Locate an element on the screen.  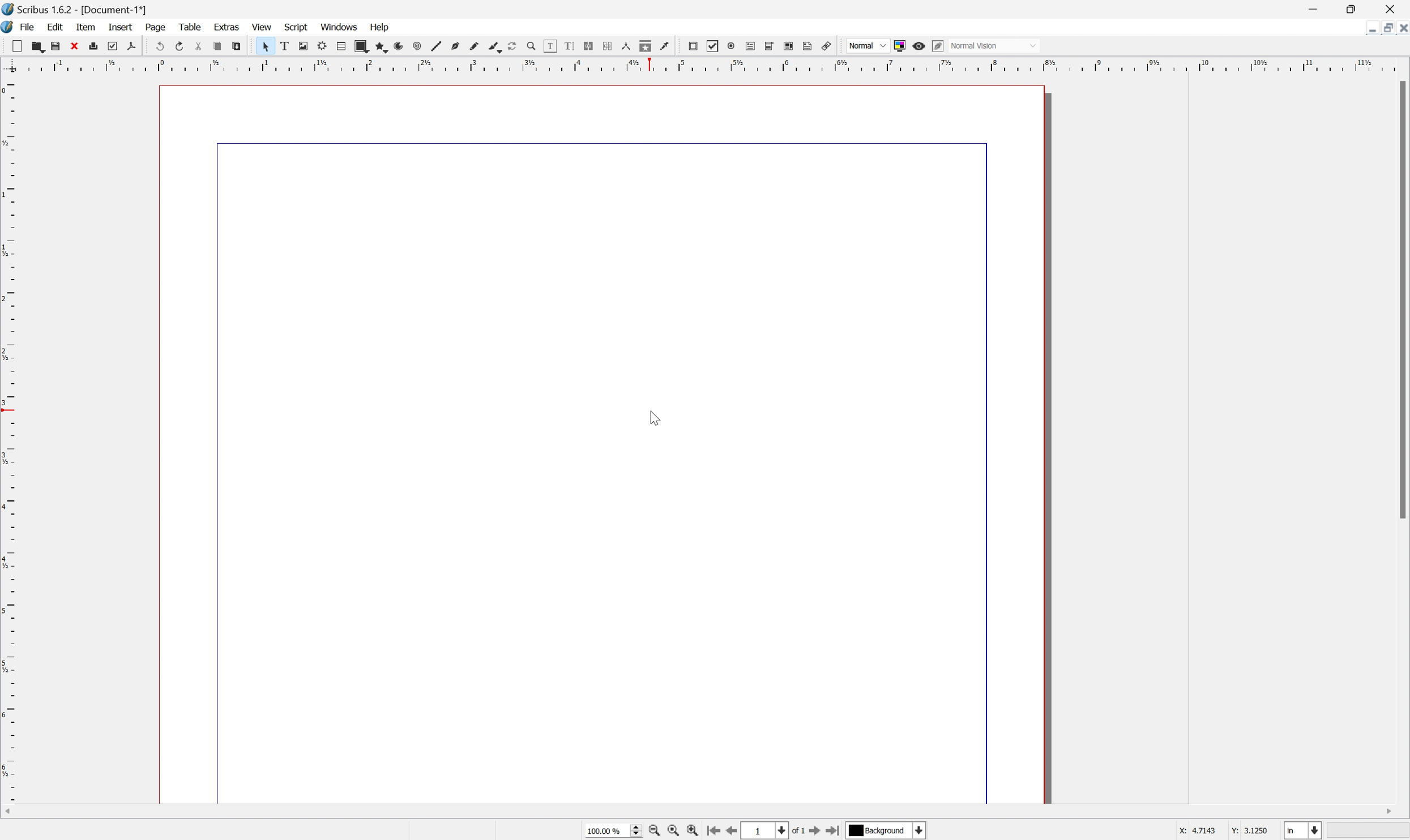
PDF radio button is located at coordinates (732, 46).